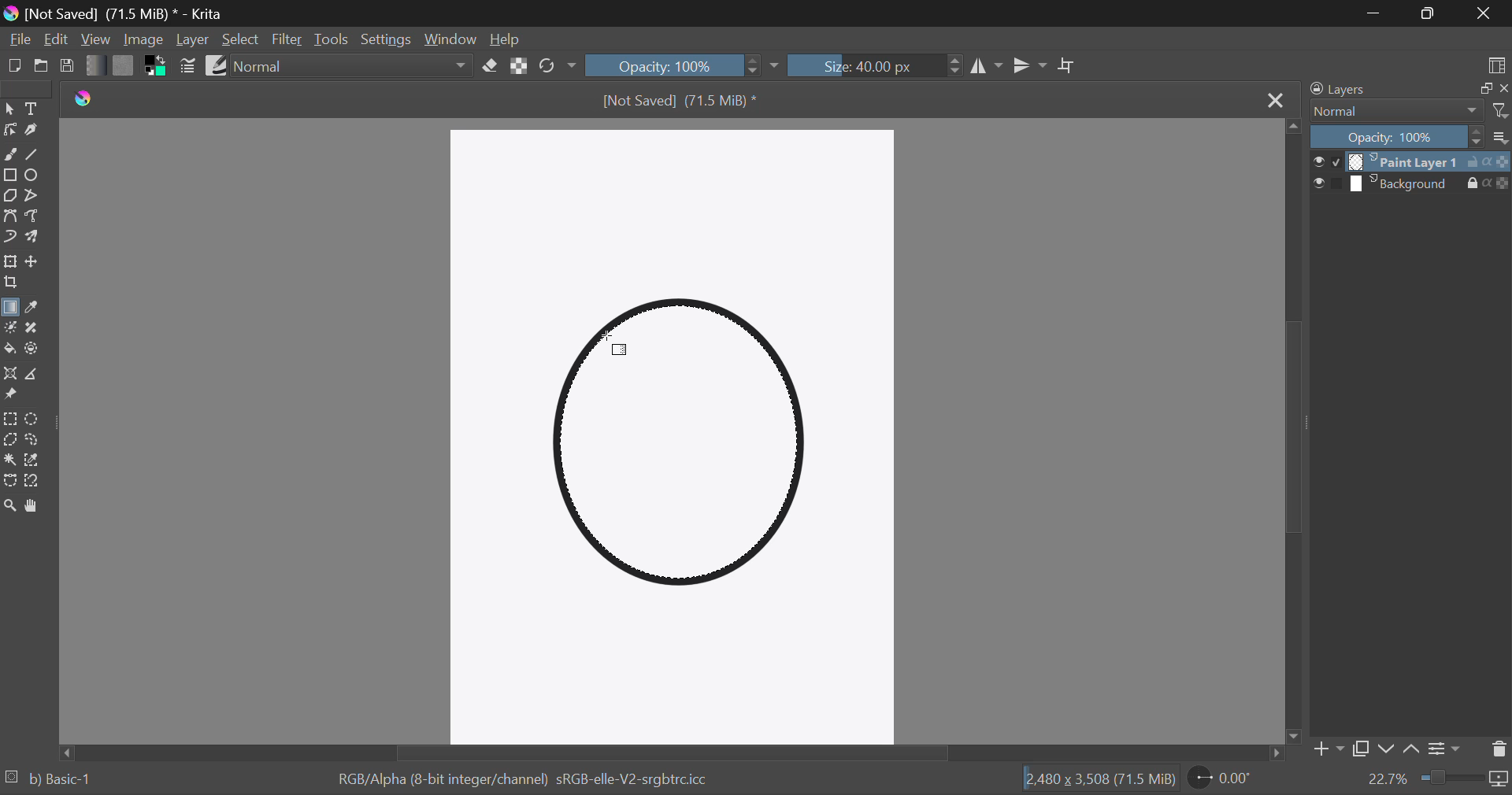 The image size is (1512, 795). What do you see at coordinates (1430, 14) in the screenshot?
I see `Minimize` at bounding box center [1430, 14].